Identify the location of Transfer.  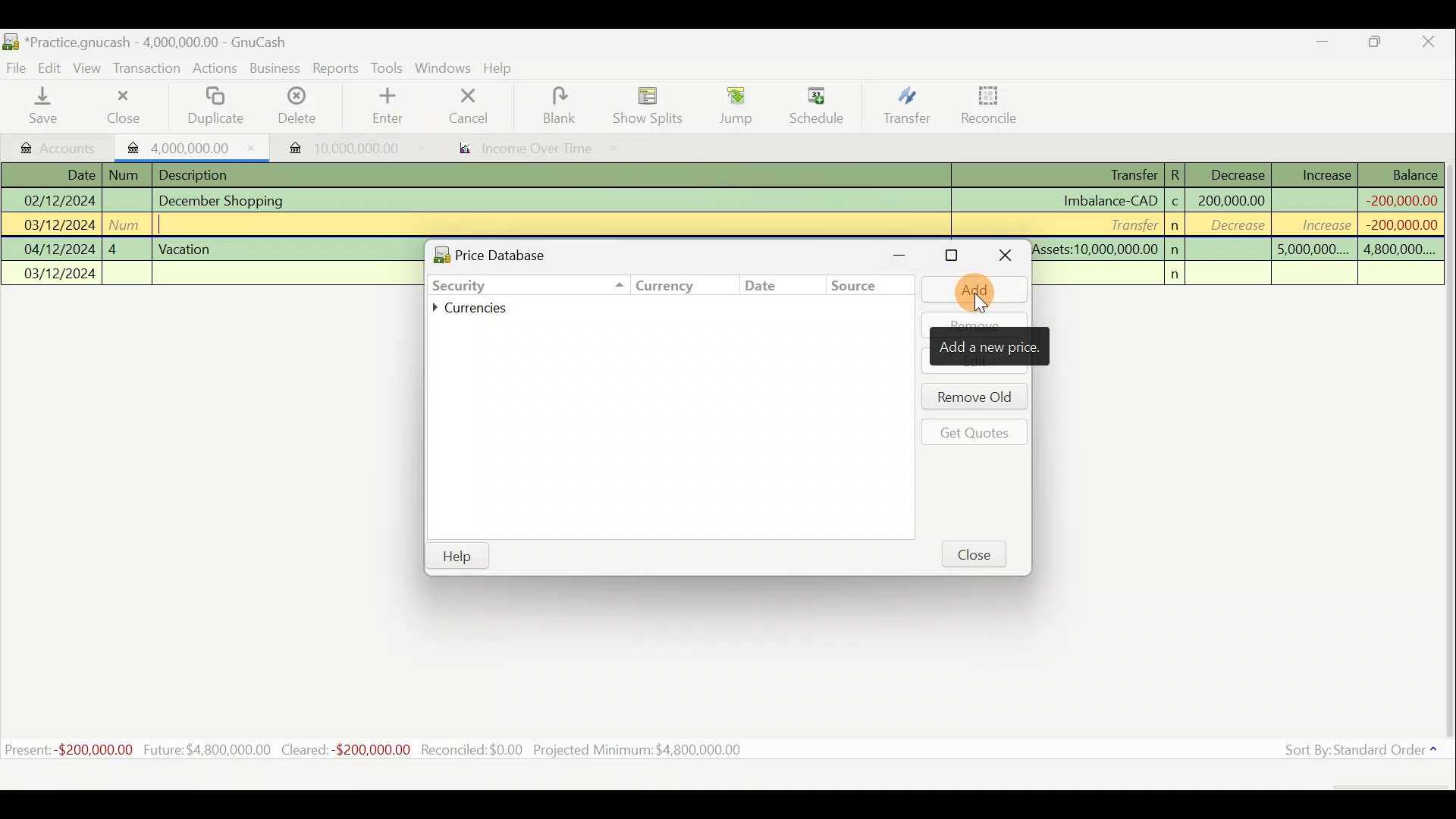
(1119, 176).